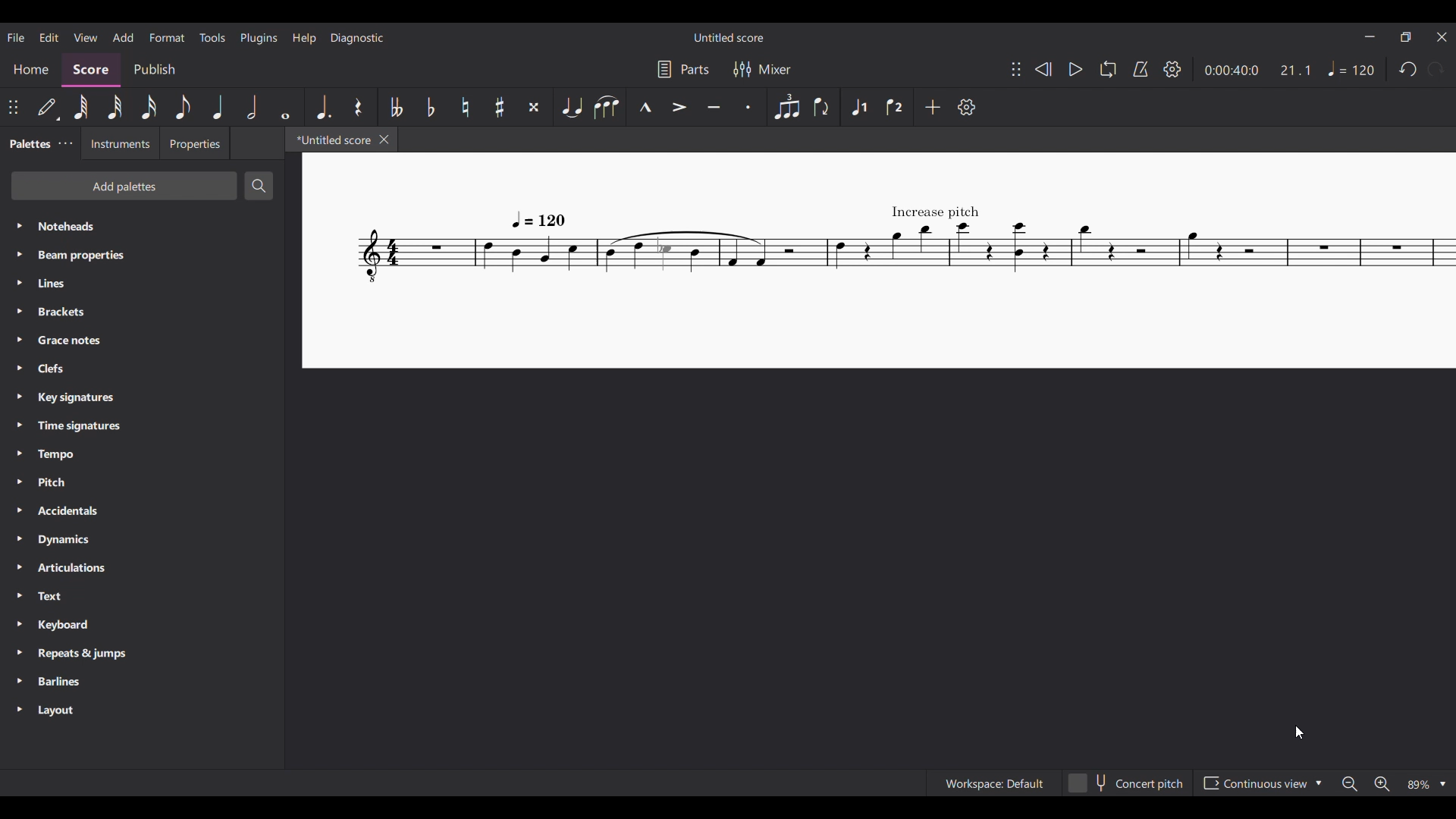 This screenshot has width=1456, height=819. Describe the element at coordinates (65, 143) in the screenshot. I see `Palette settings` at that location.